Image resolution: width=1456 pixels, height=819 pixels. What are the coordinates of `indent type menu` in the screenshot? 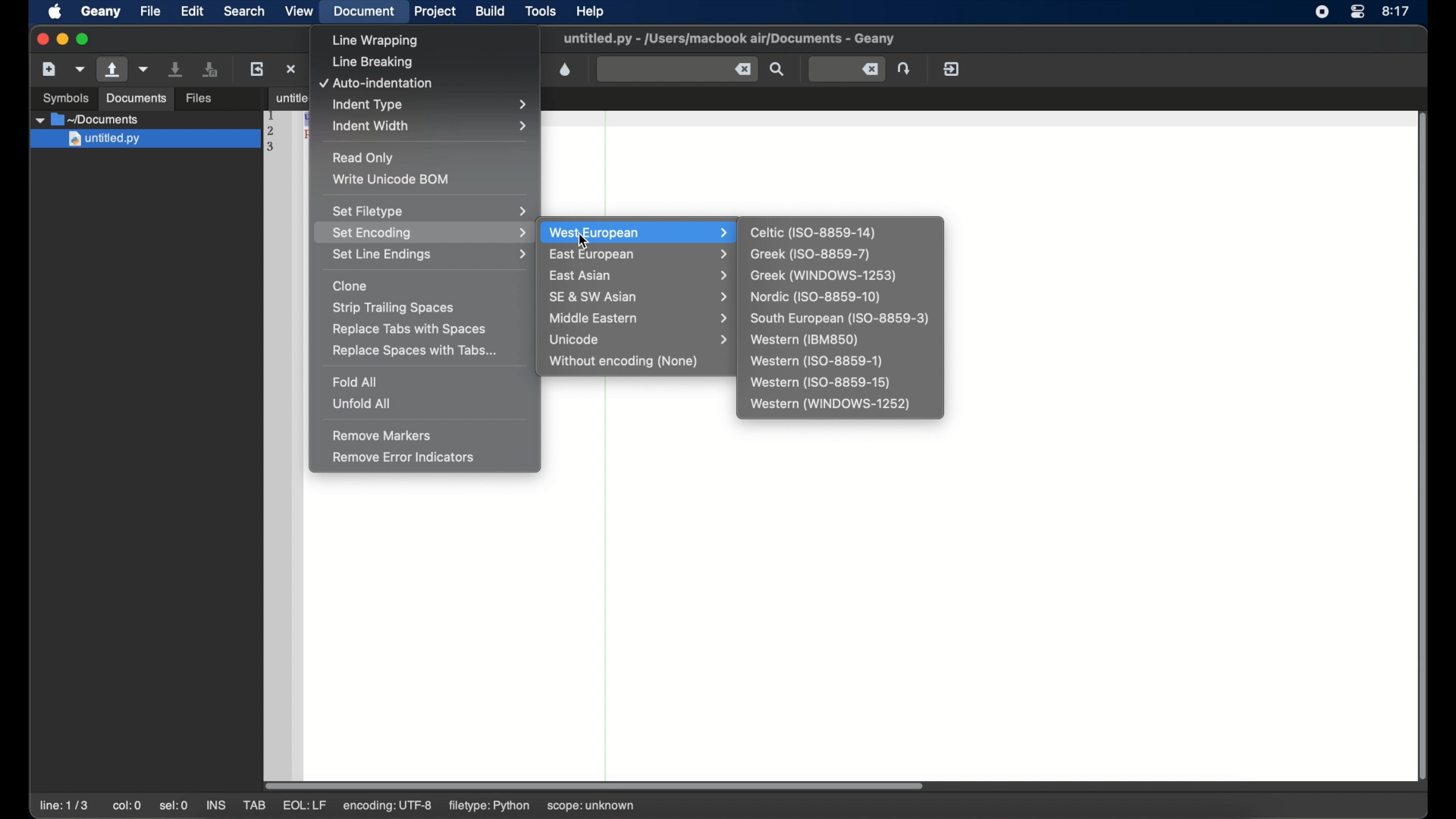 It's located at (433, 105).